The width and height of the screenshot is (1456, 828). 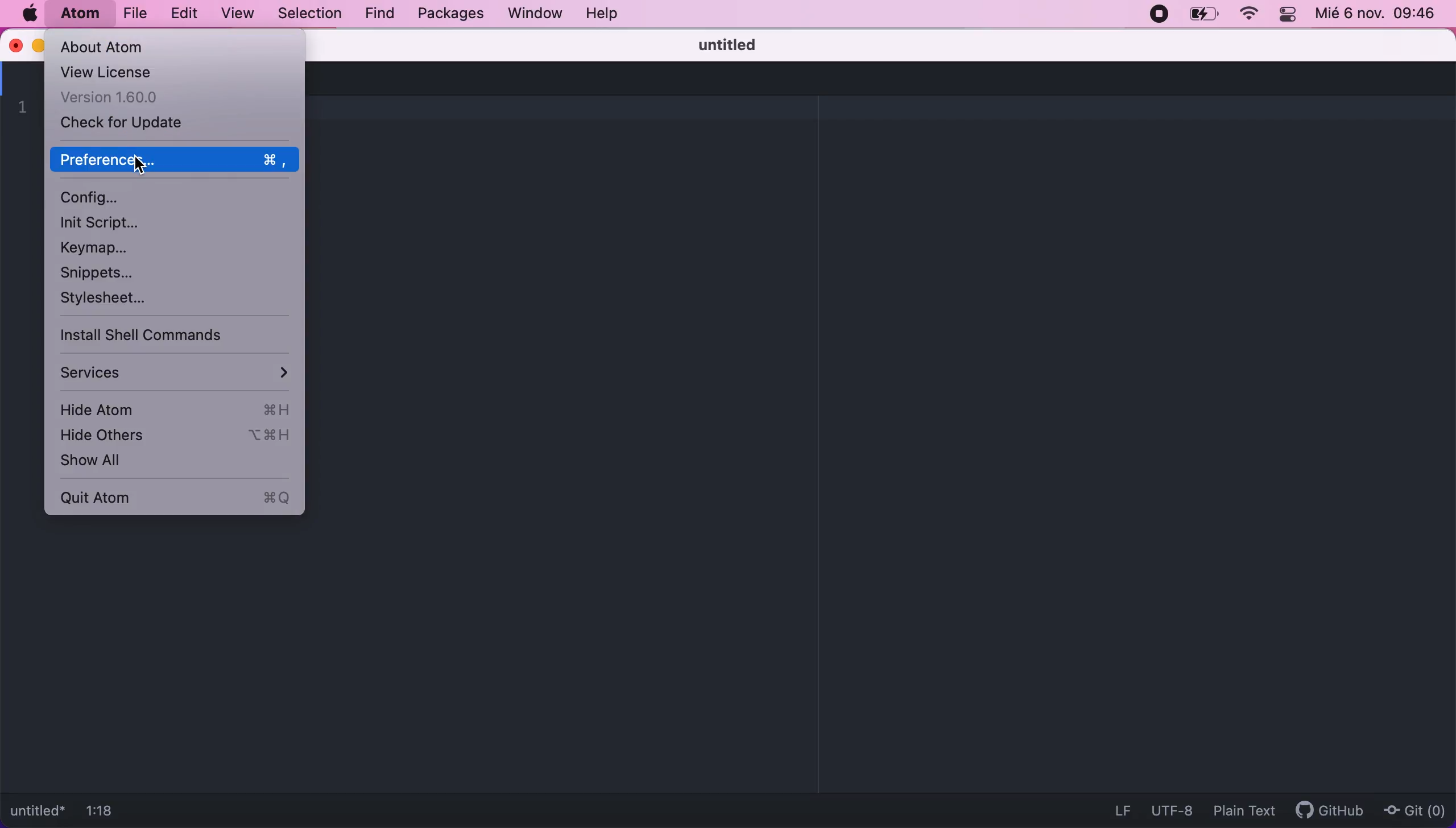 What do you see at coordinates (78, 14) in the screenshot?
I see `atom` at bounding box center [78, 14].